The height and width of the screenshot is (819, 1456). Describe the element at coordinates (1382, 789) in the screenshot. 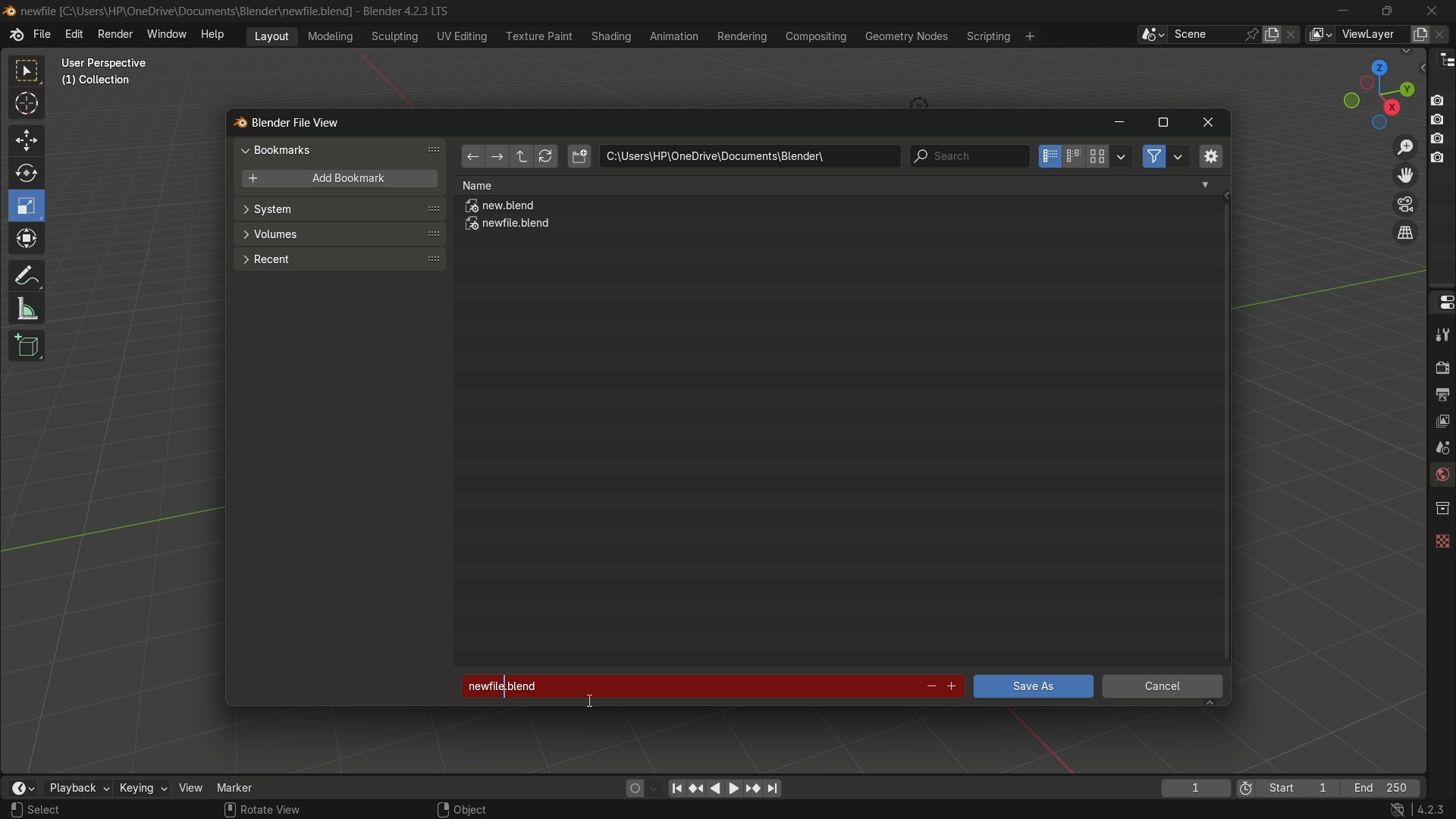

I see `final frame of the playback` at that location.